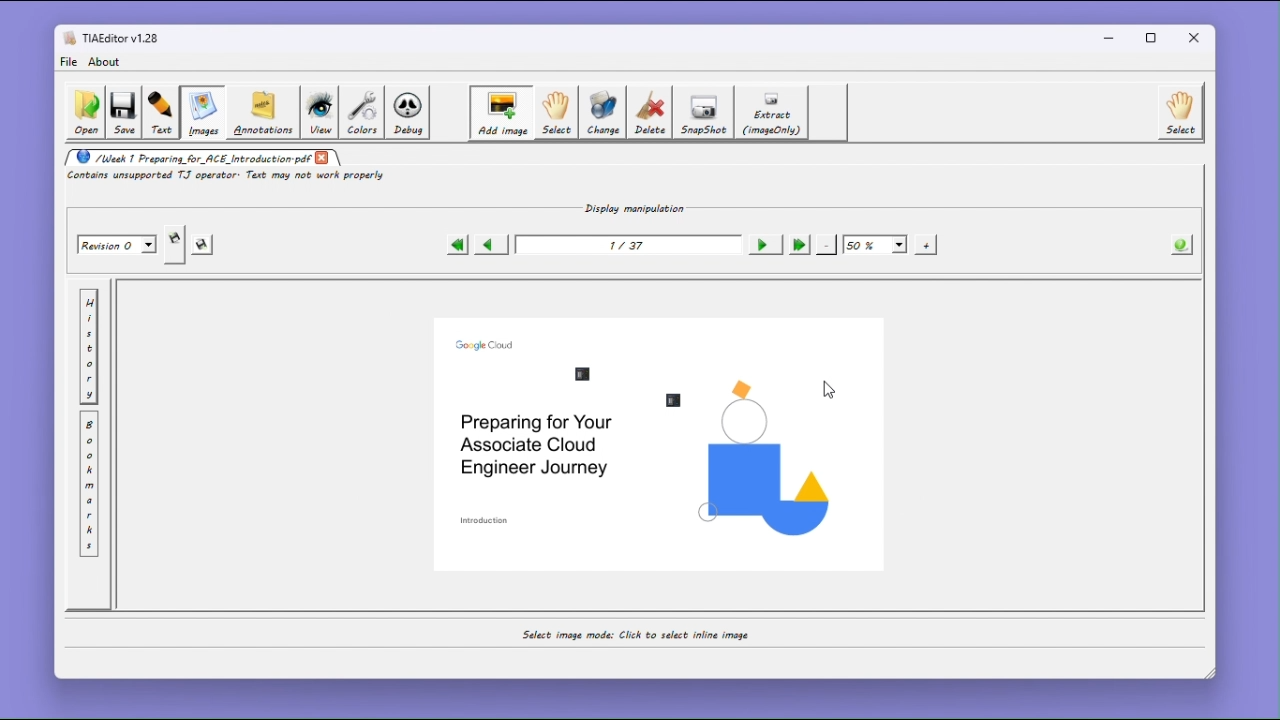  I want to click on Debug, so click(410, 113).